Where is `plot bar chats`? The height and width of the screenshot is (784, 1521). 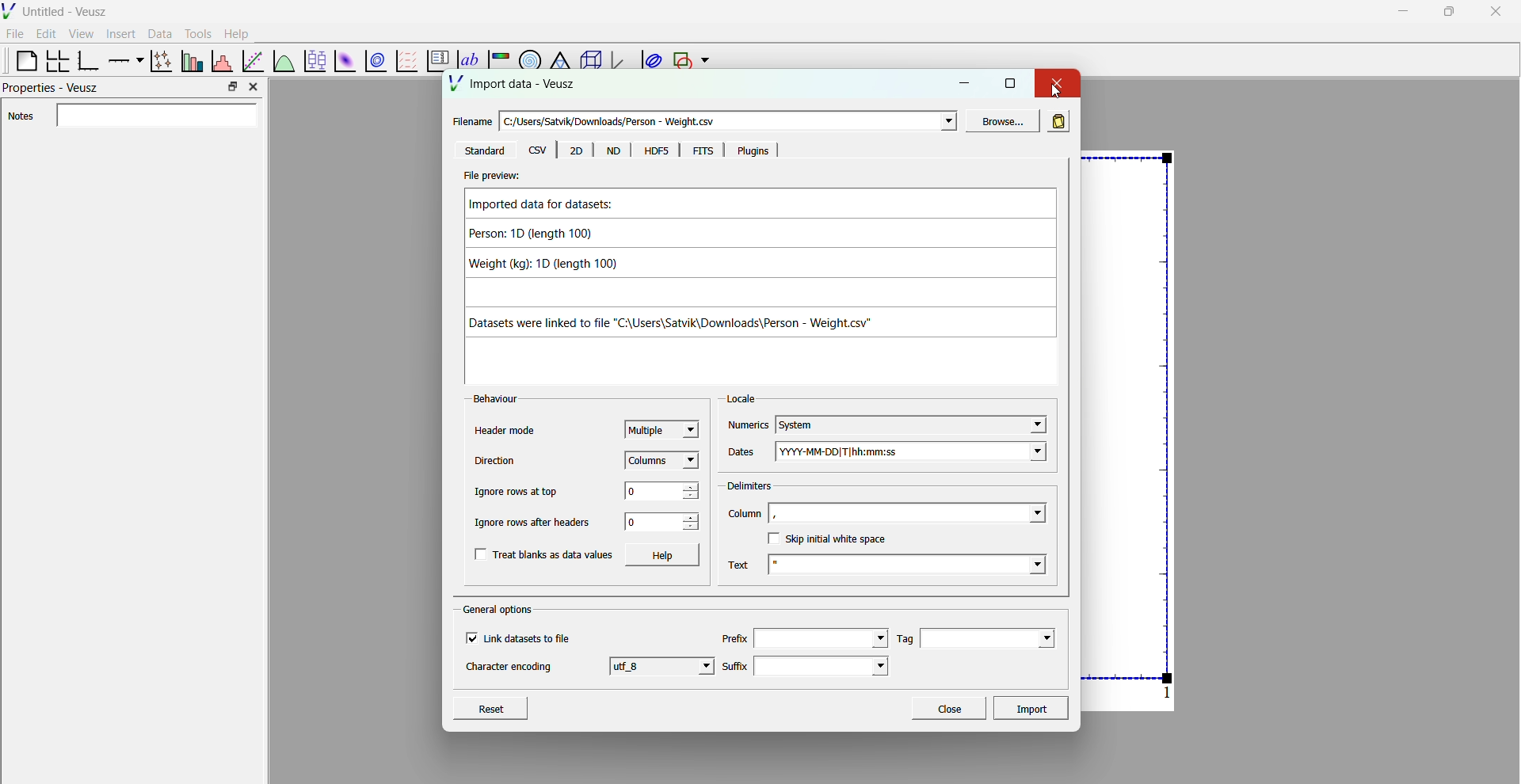 plot bar chats is located at coordinates (190, 61).